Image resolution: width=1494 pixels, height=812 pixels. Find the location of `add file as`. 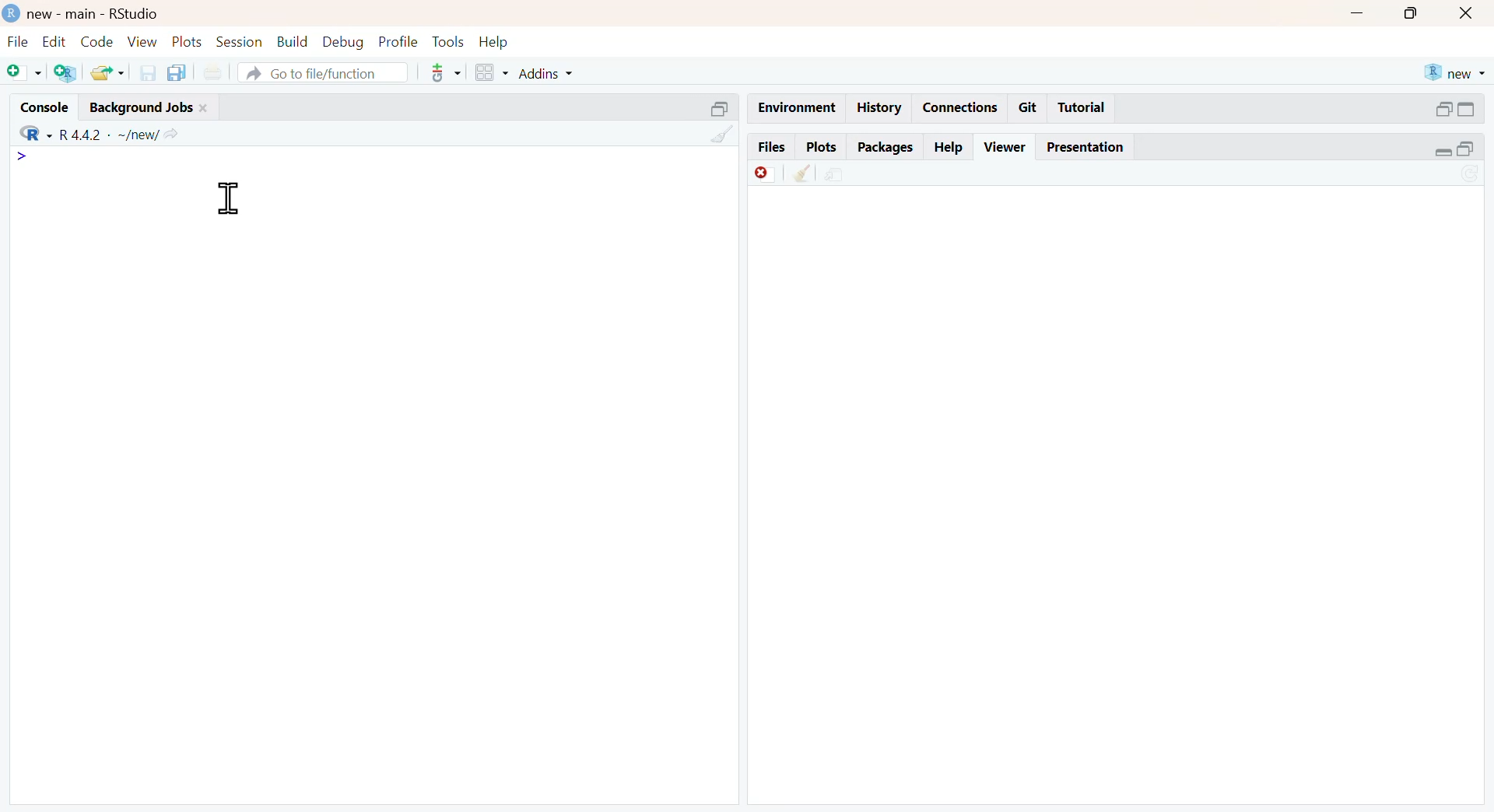

add file as is located at coordinates (26, 73).